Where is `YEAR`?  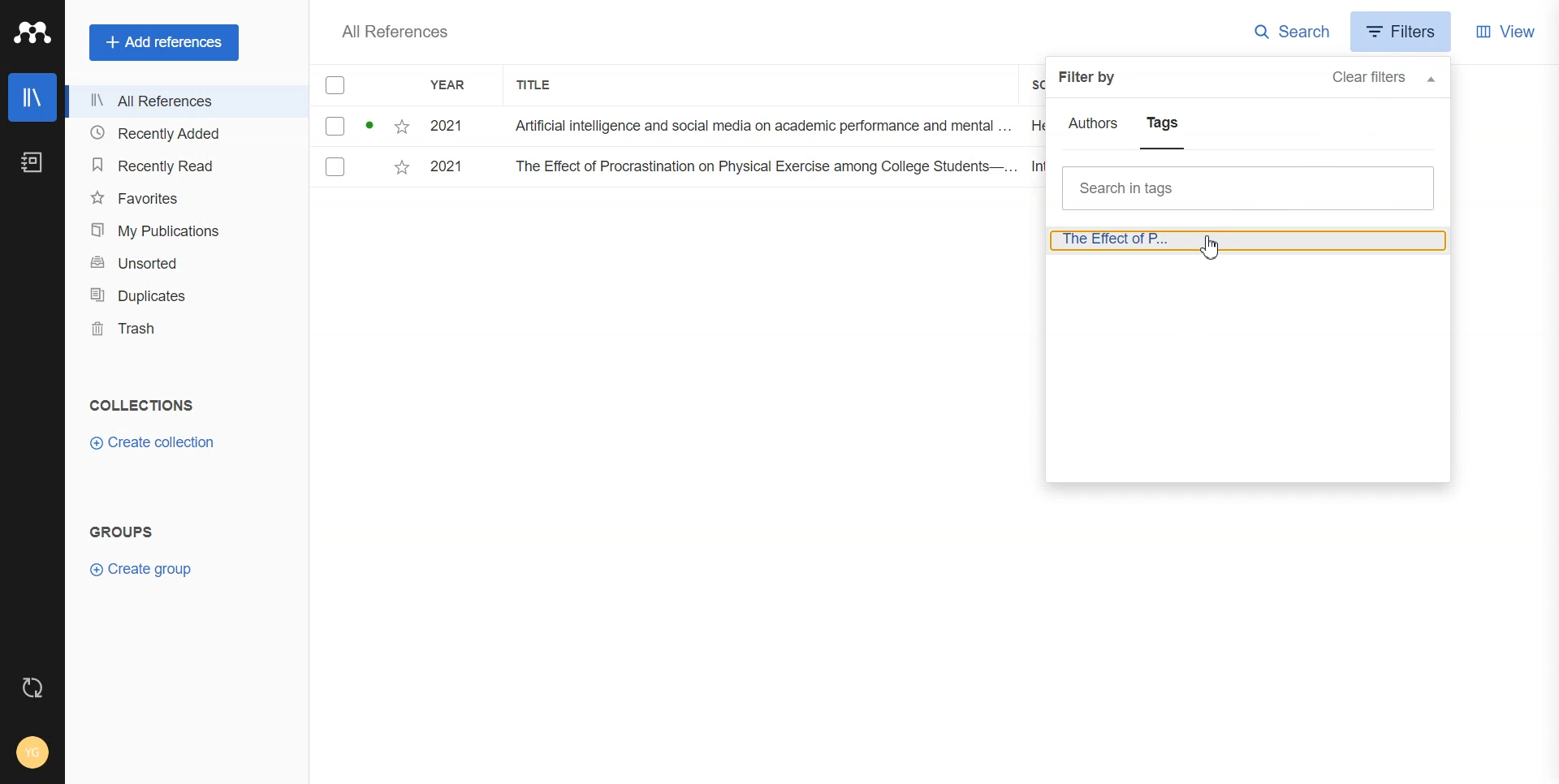 YEAR is located at coordinates (458, 84).